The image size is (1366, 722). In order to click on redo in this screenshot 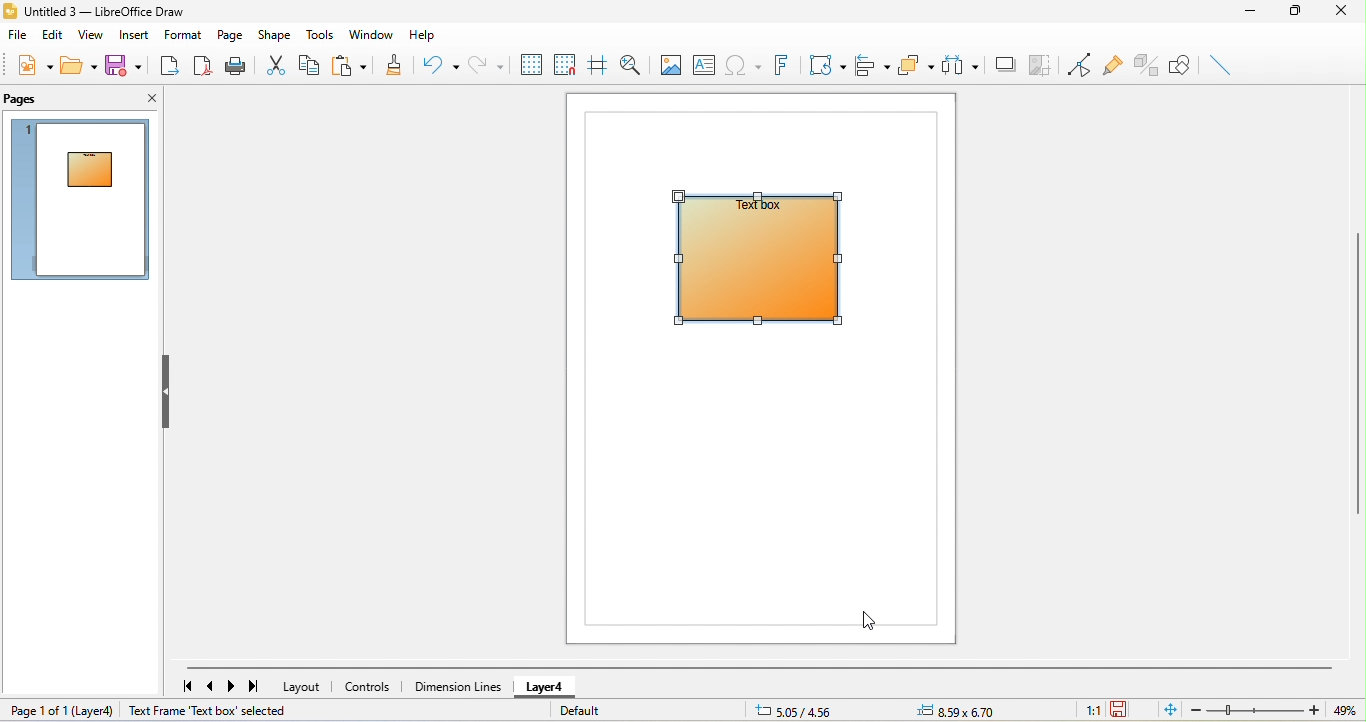, I will do `click(490, 65)`.